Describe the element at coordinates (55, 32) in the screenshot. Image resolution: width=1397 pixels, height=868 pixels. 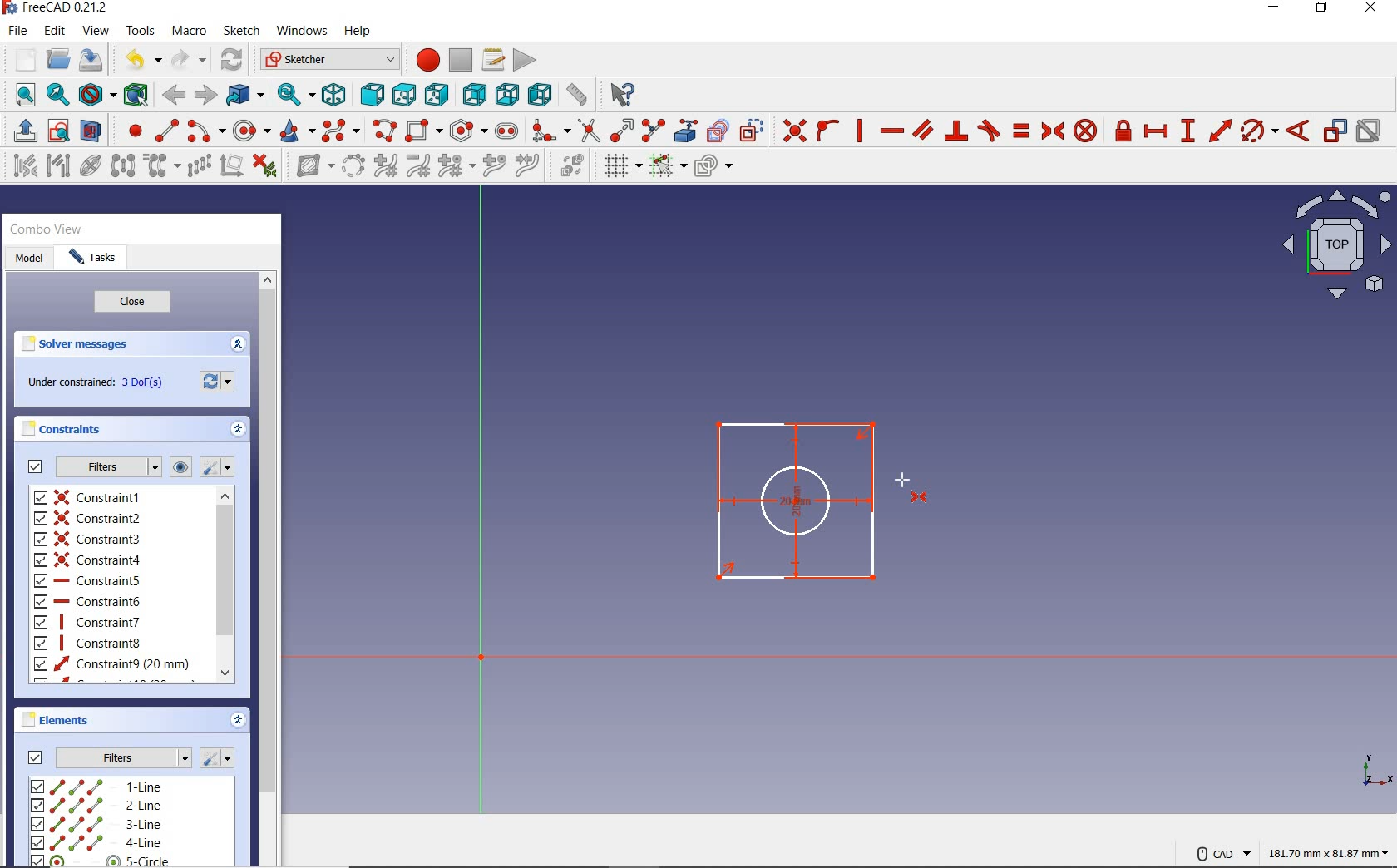
I see `edit` at that location.